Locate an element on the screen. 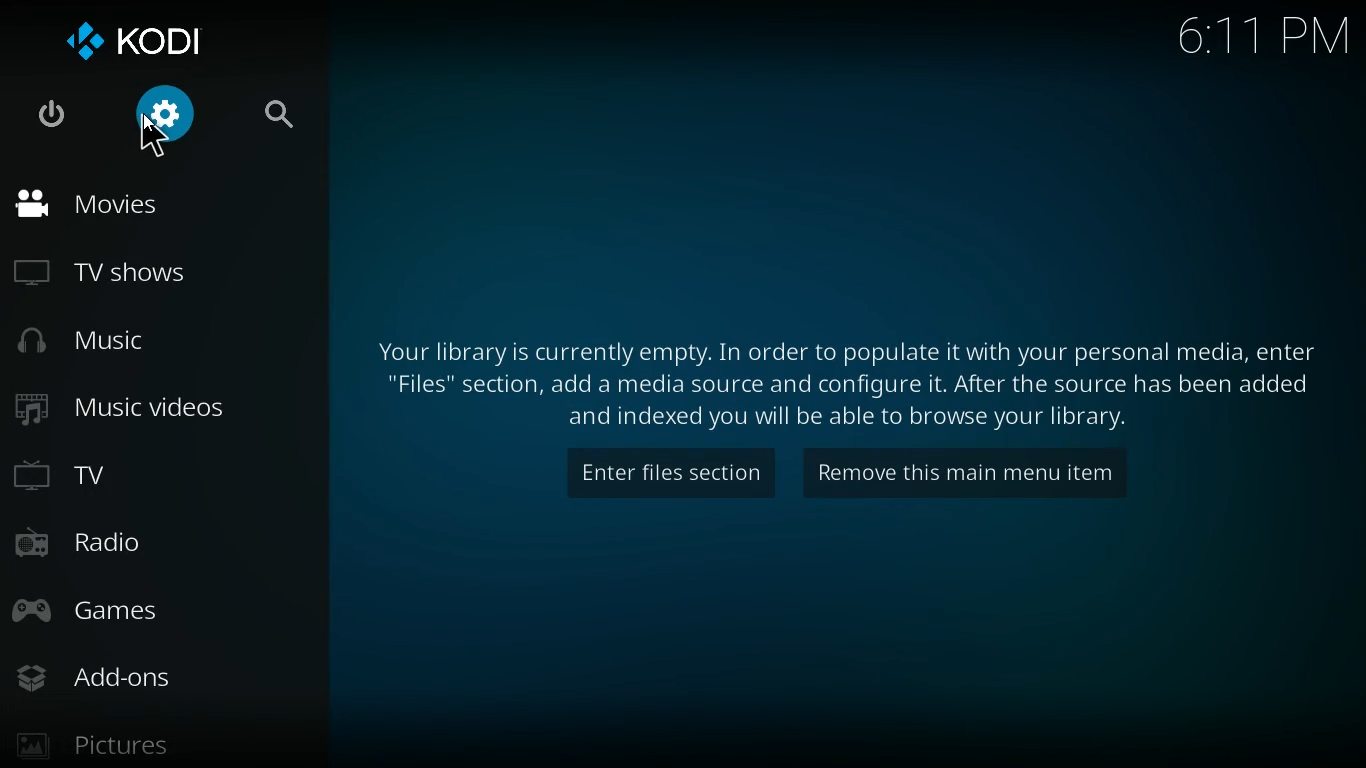  tv is located at coordinates (155, 472).